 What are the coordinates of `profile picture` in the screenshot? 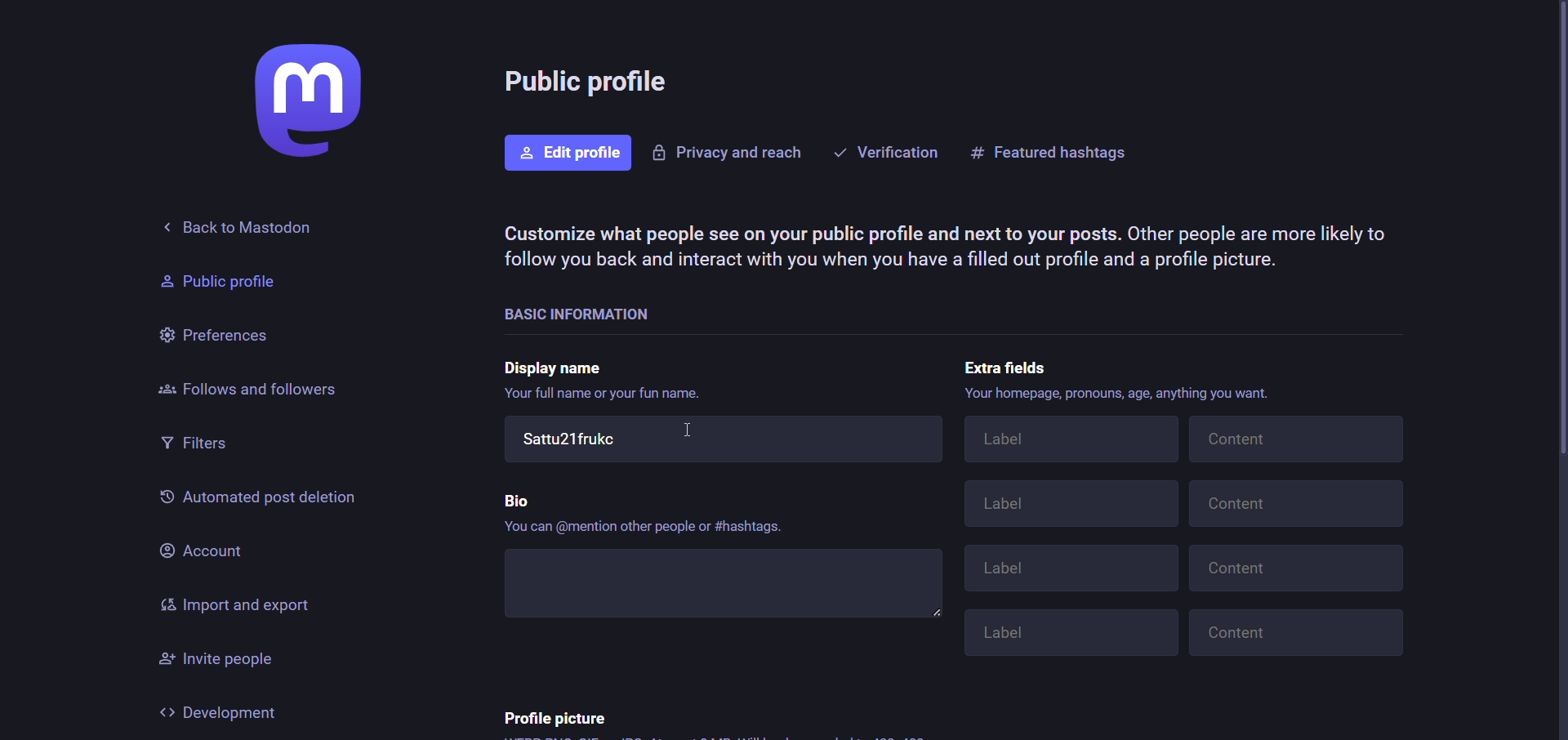 It's located at (555, 716).